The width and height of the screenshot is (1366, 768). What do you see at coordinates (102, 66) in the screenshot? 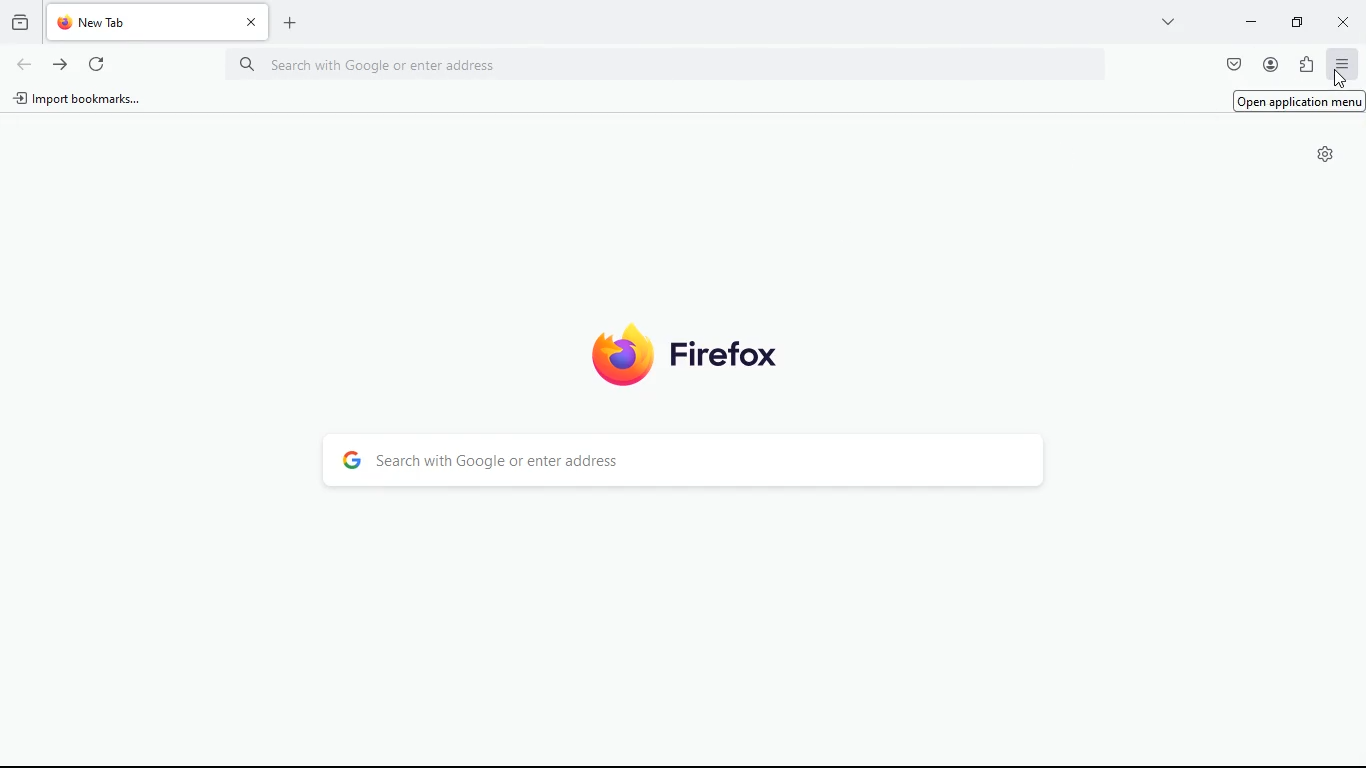
I see `refresh` at bounding box center [102, 66].